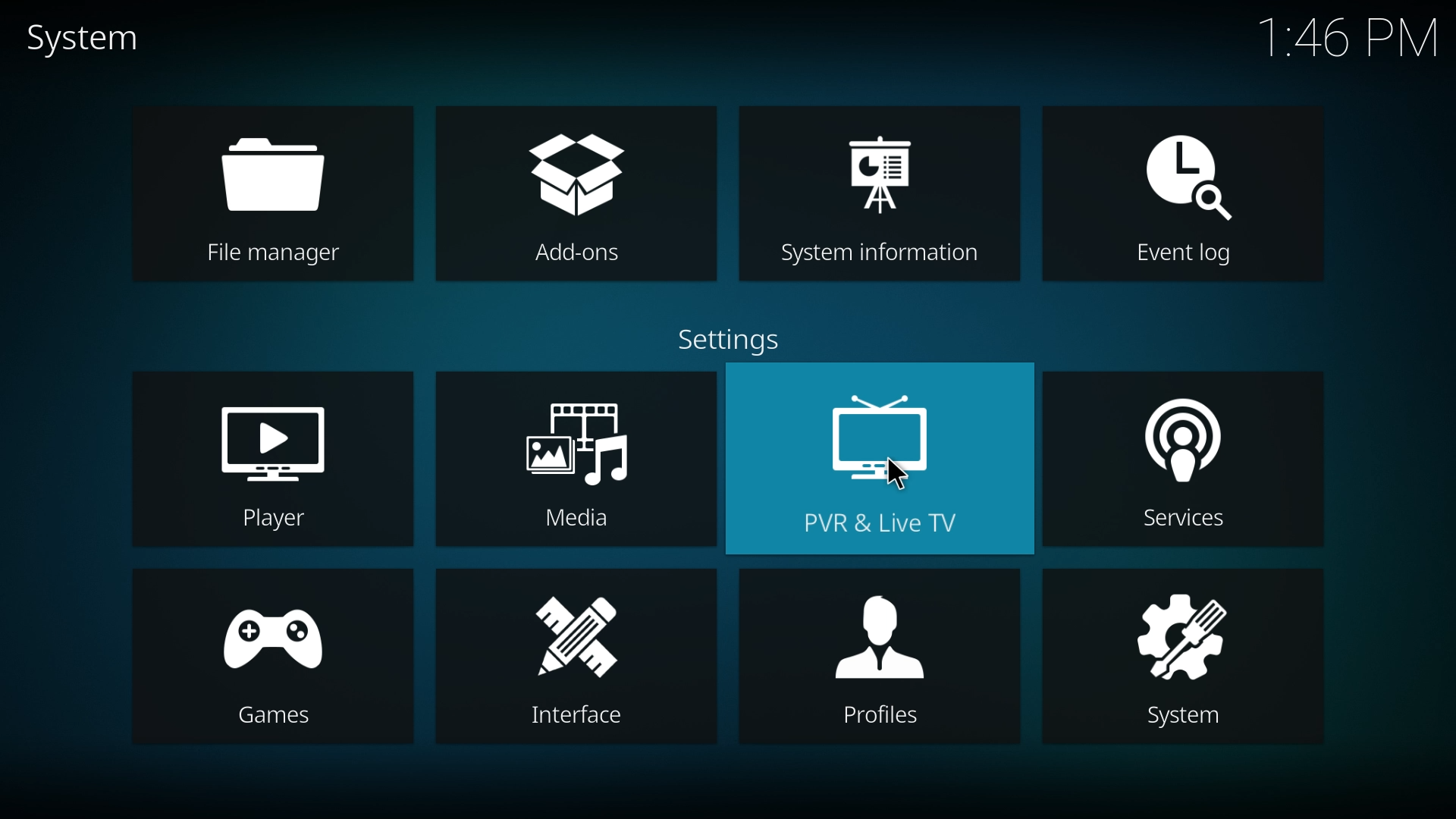  What do you see at coordinates (271, 657) in the screenshot?
I see `games` at bounding box center [271, 657].